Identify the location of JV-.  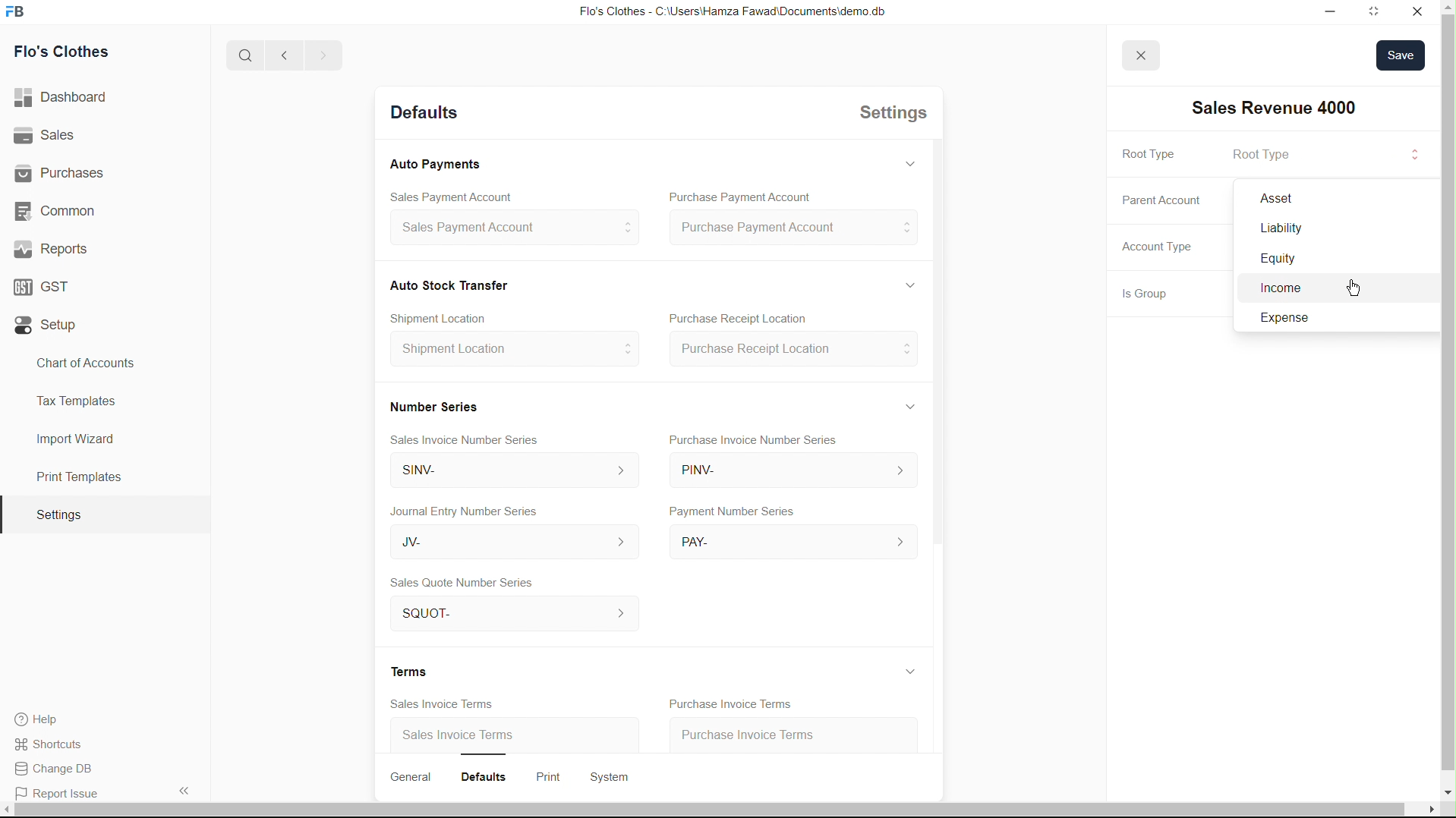
(513, 543).